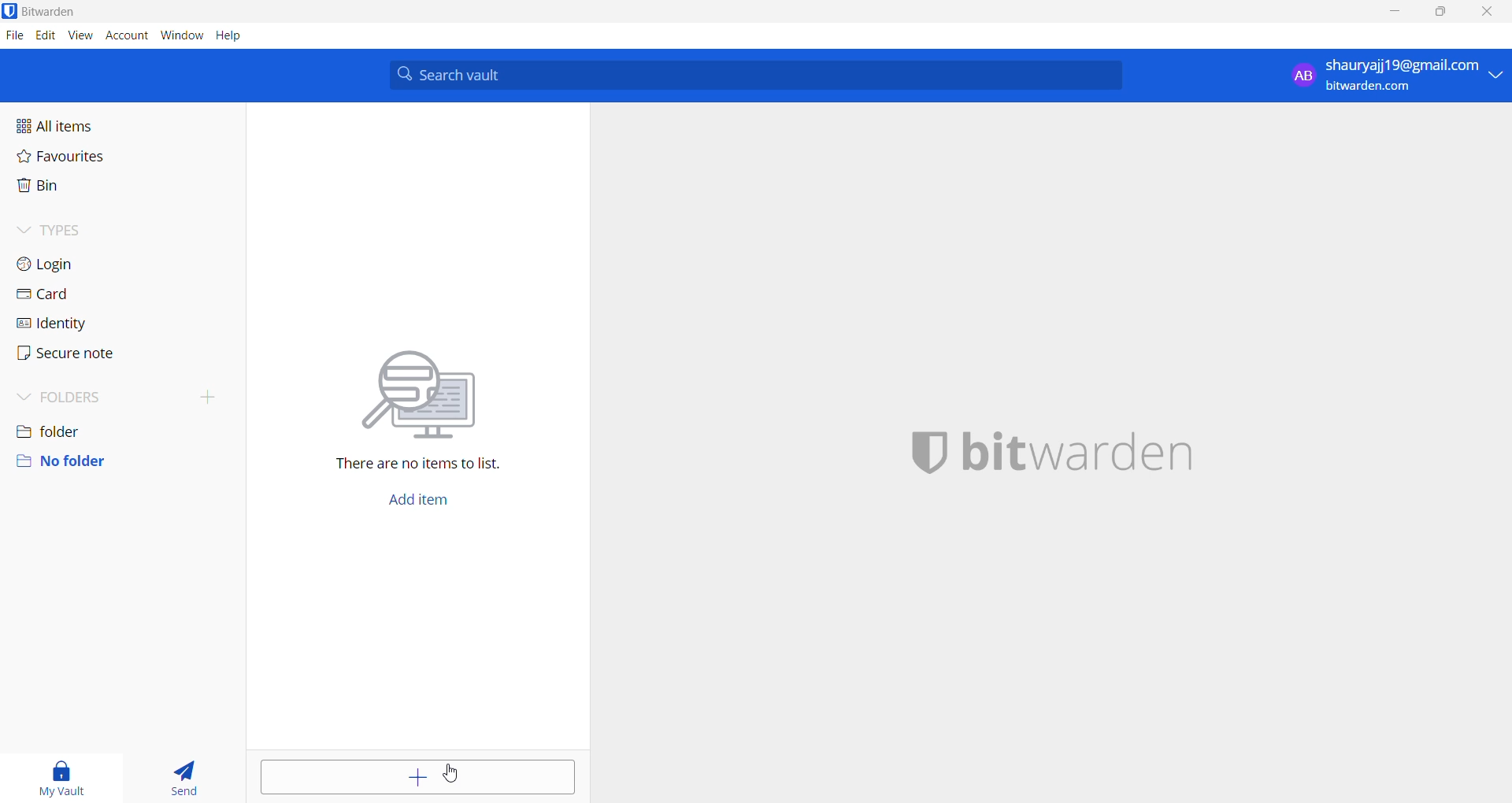 This screenshot has width=1512, height=803. Describe the element at coordinates (126, 394) in the screenshot. I see `folders` at that location.